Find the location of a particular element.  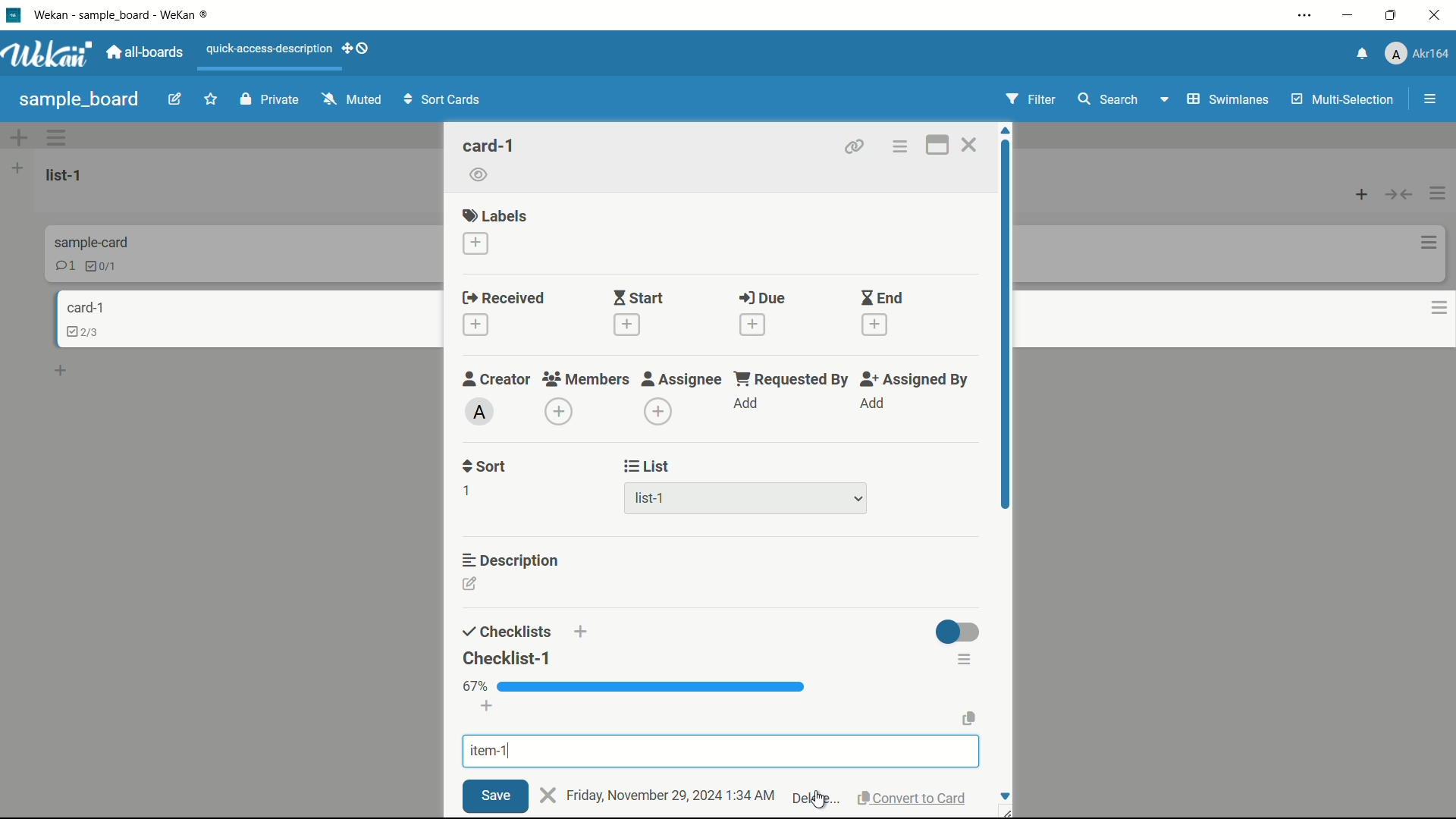

checklist is located at coordinates (80, 334).